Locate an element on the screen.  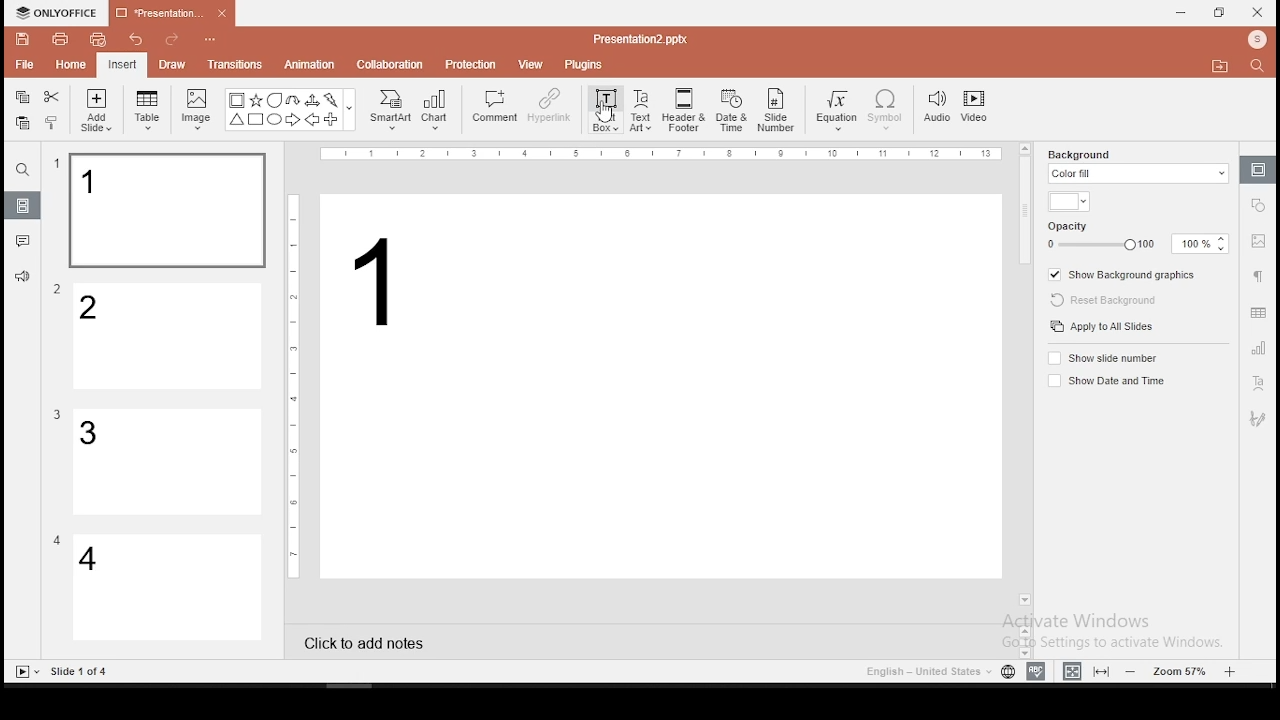
protection is located at coordinates (471, 63).